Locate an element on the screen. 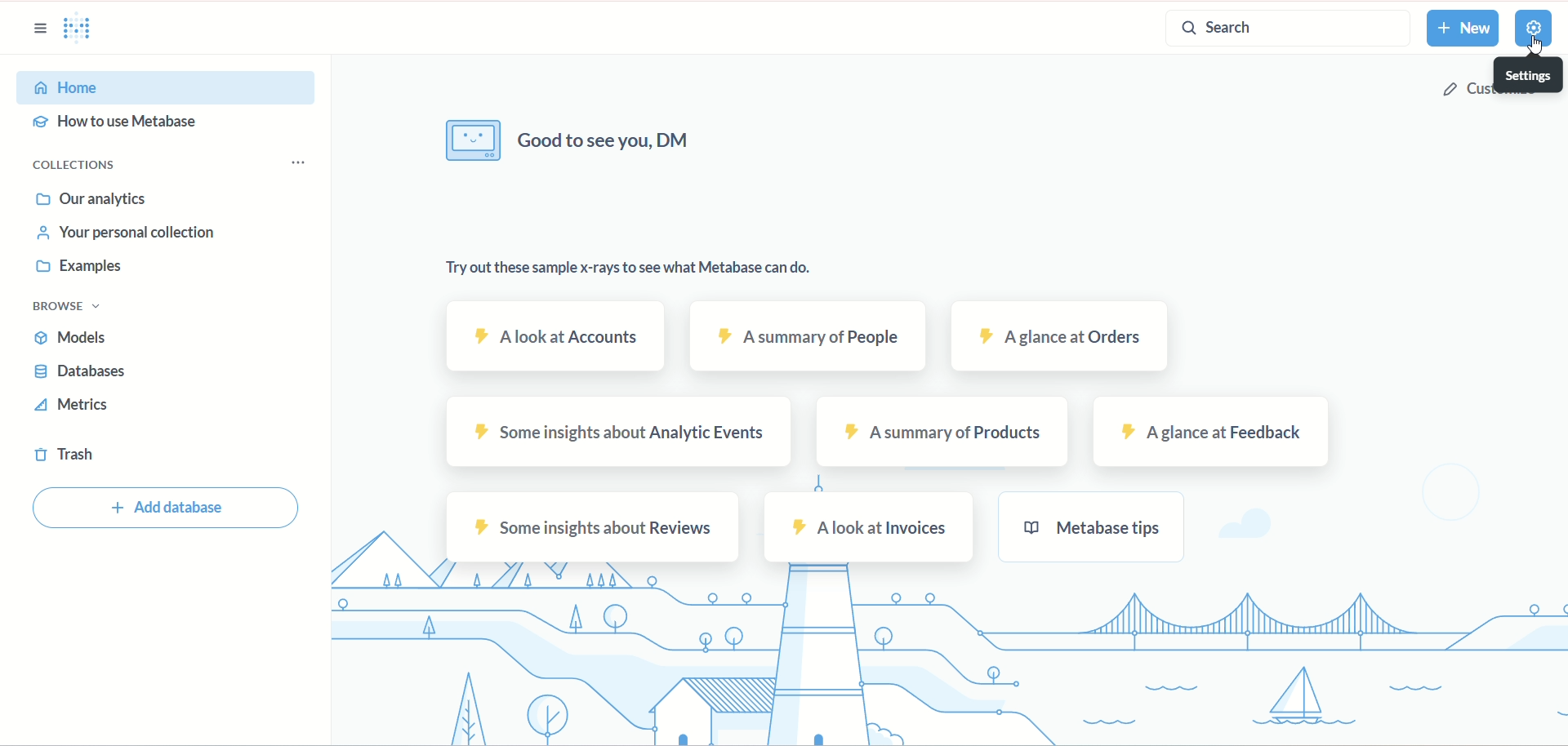 The width and height of the screenshot is (1568, 746). logo is located at coordinates (85, 33).